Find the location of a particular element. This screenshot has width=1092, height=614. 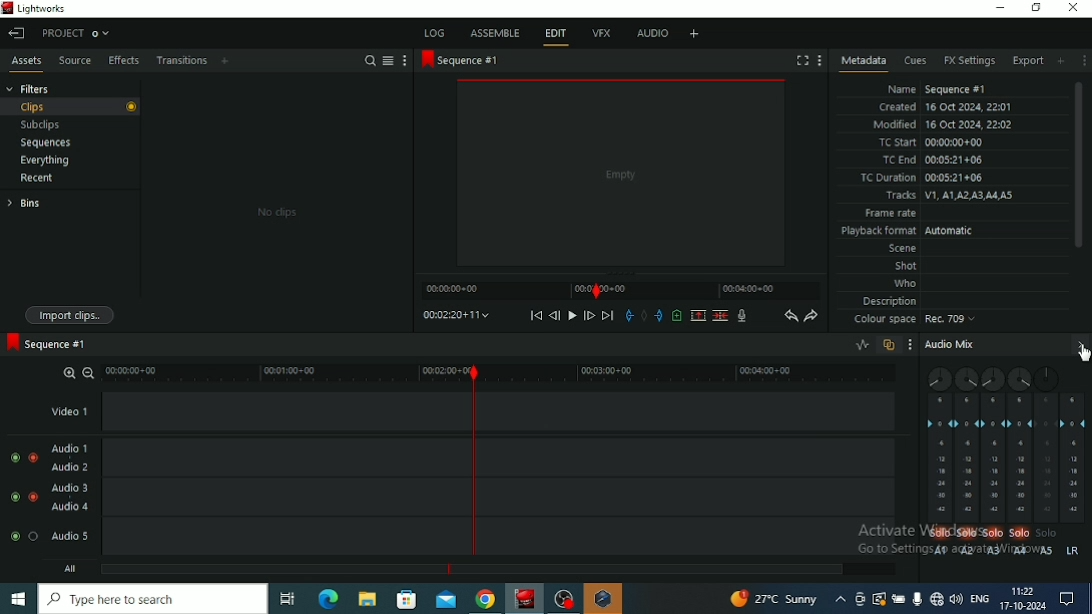

Playback format is located at coordinates (908, 231).